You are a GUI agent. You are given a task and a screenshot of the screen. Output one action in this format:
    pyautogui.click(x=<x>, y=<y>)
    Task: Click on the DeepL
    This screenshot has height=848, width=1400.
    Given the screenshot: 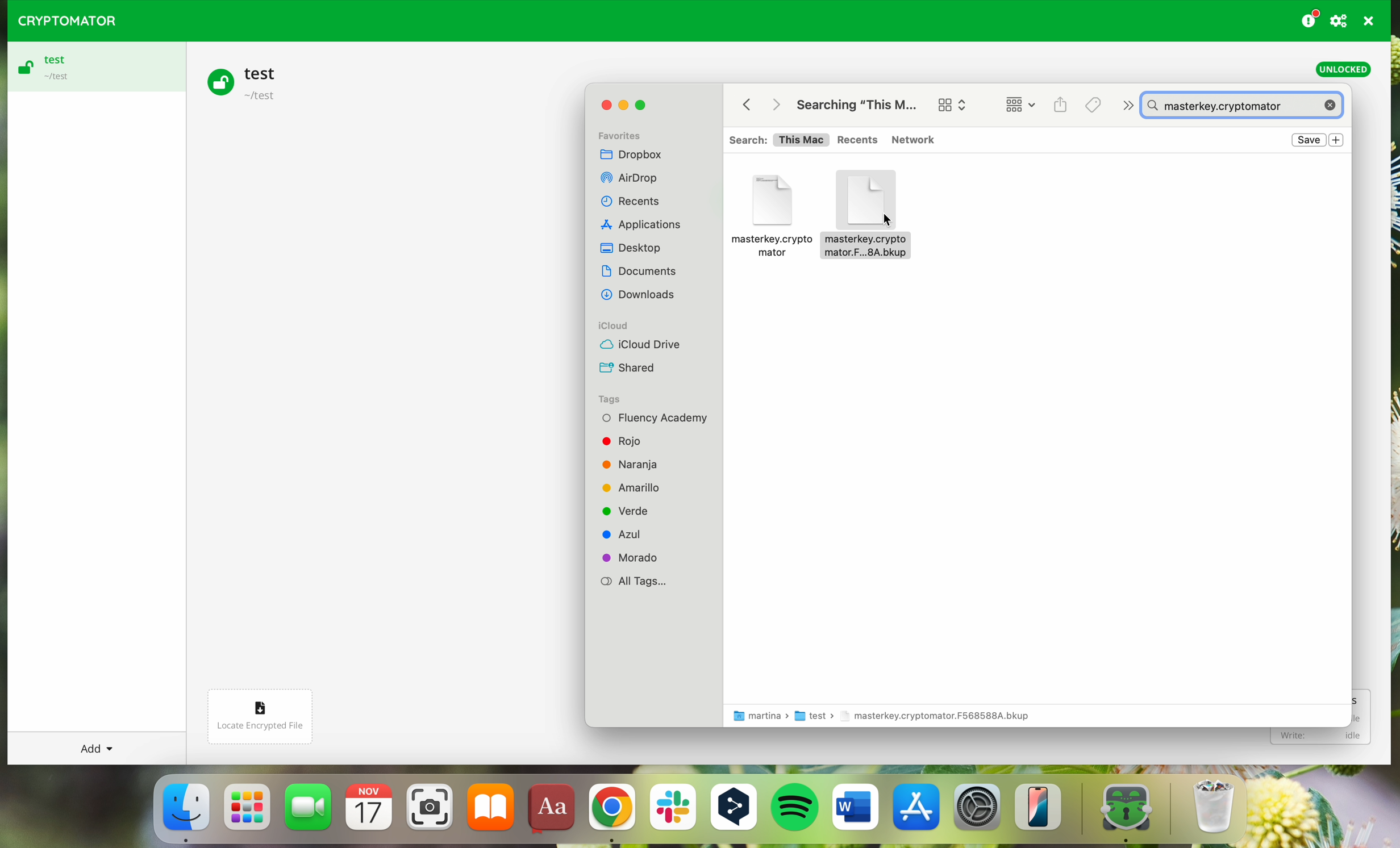 What is the action you would take?
    pyautogui.click(x=736, y=809)
    